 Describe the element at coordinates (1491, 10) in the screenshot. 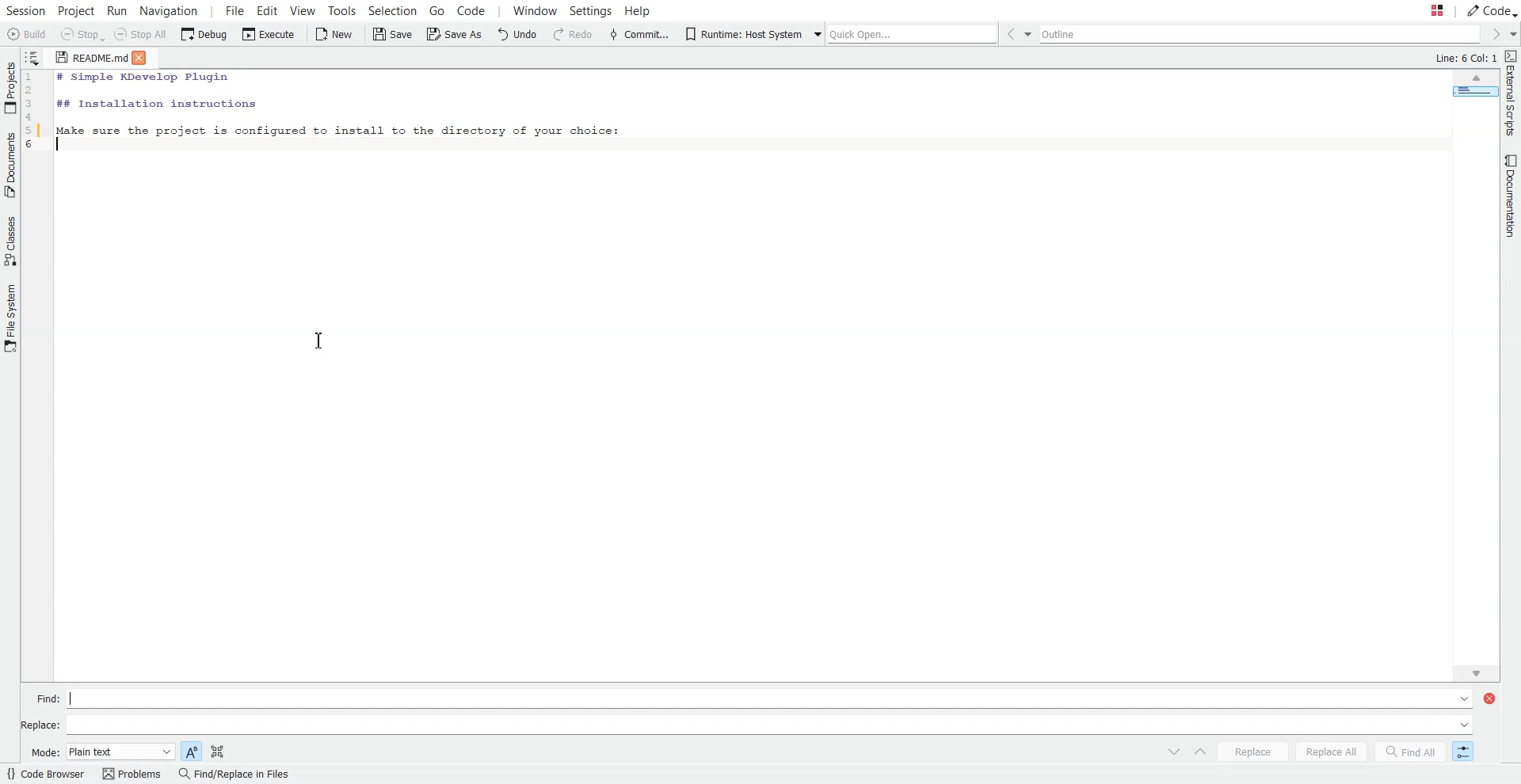

I see `Code` at that location.